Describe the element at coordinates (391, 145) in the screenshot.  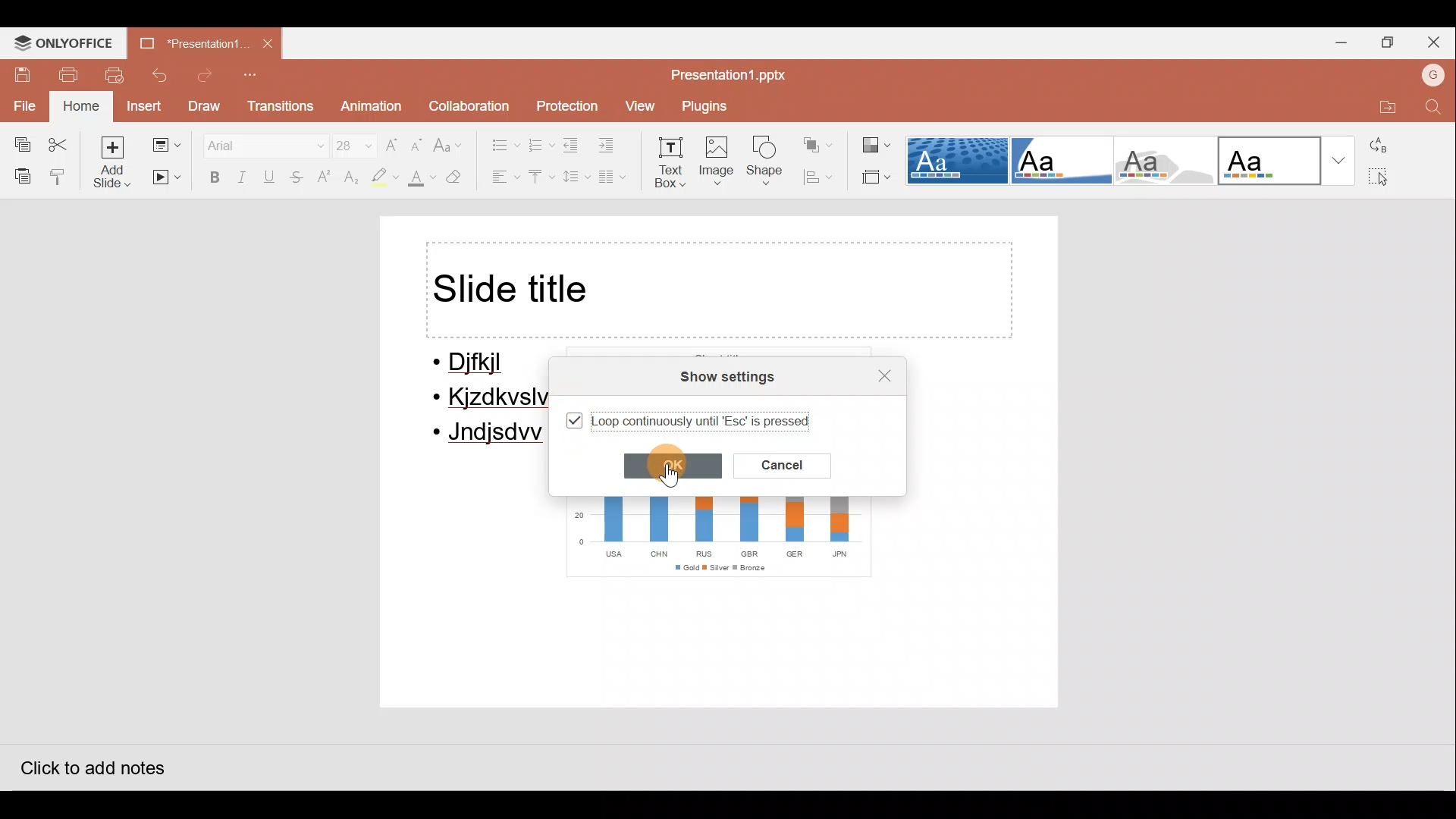
I see `Increase font size` at that location.